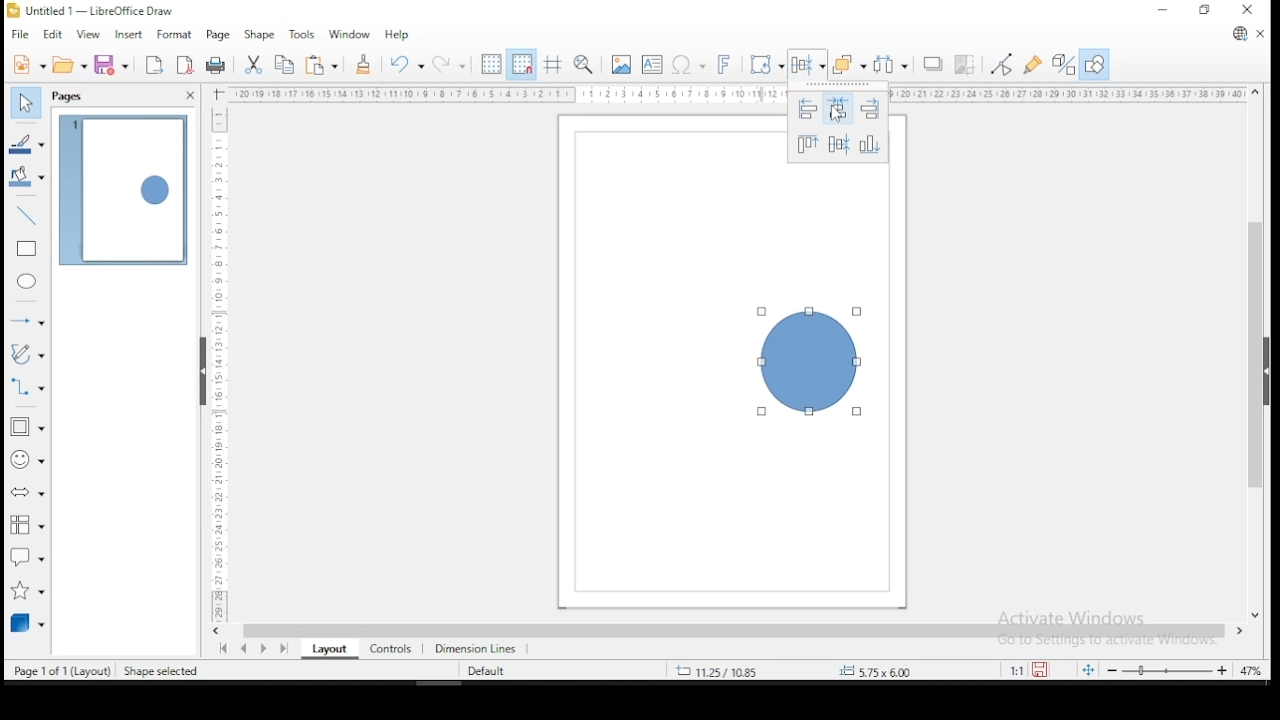 Image resolution: width=1280 pixels, height=720 pixels. What do you see at coordinates (221, 649) in the screenshot?
I see `first page` at bounding box center [221, 649].